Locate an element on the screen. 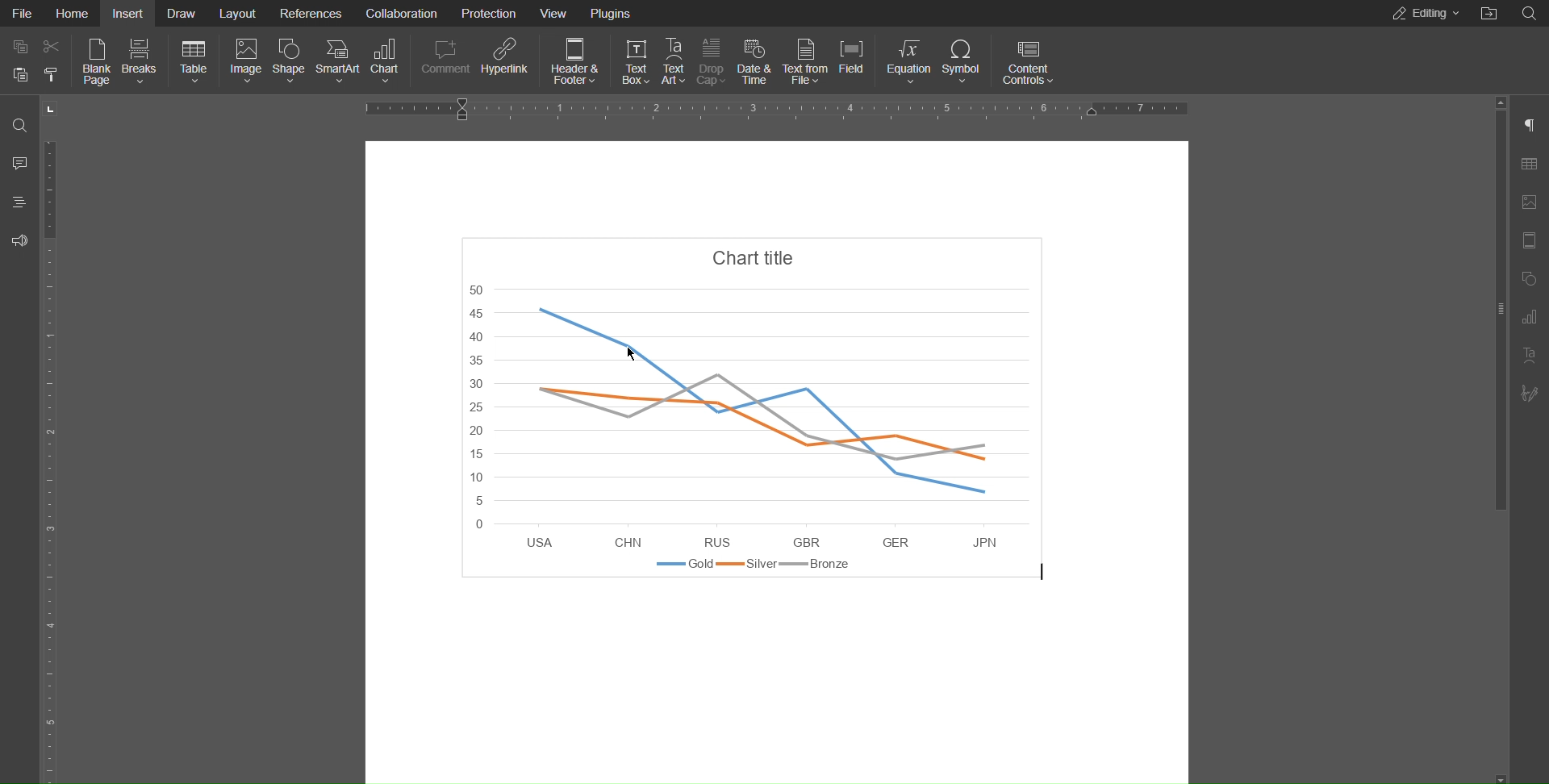 The height and width of the screenshot is (784, 1549). Symbol  is located at coordinates (964, 59).